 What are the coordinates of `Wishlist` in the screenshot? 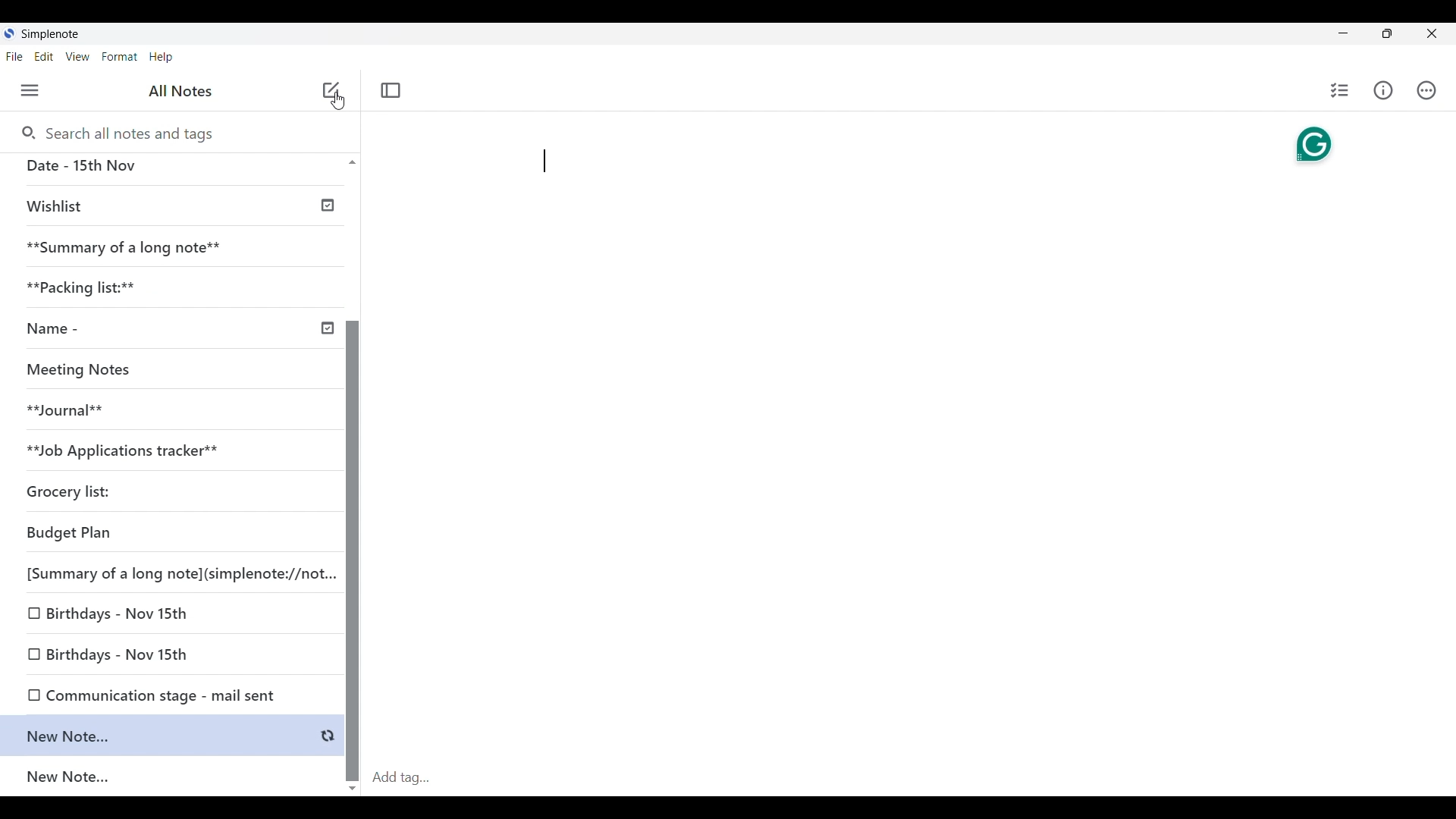 It's located at (176, 206).